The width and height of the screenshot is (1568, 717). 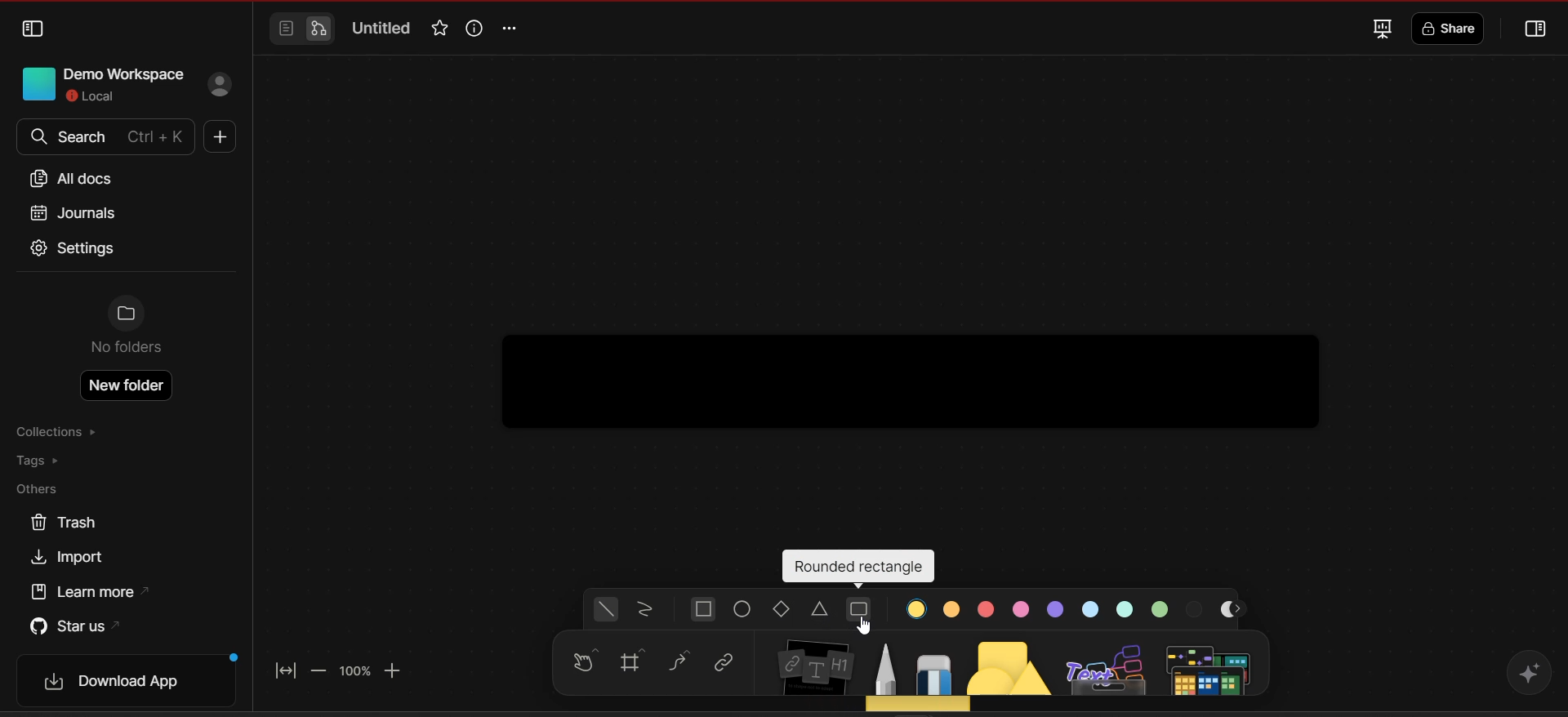 What do you see at coordinates (301, 29) in the screenshot?
I see `switch` at bounding box center [301, 29].